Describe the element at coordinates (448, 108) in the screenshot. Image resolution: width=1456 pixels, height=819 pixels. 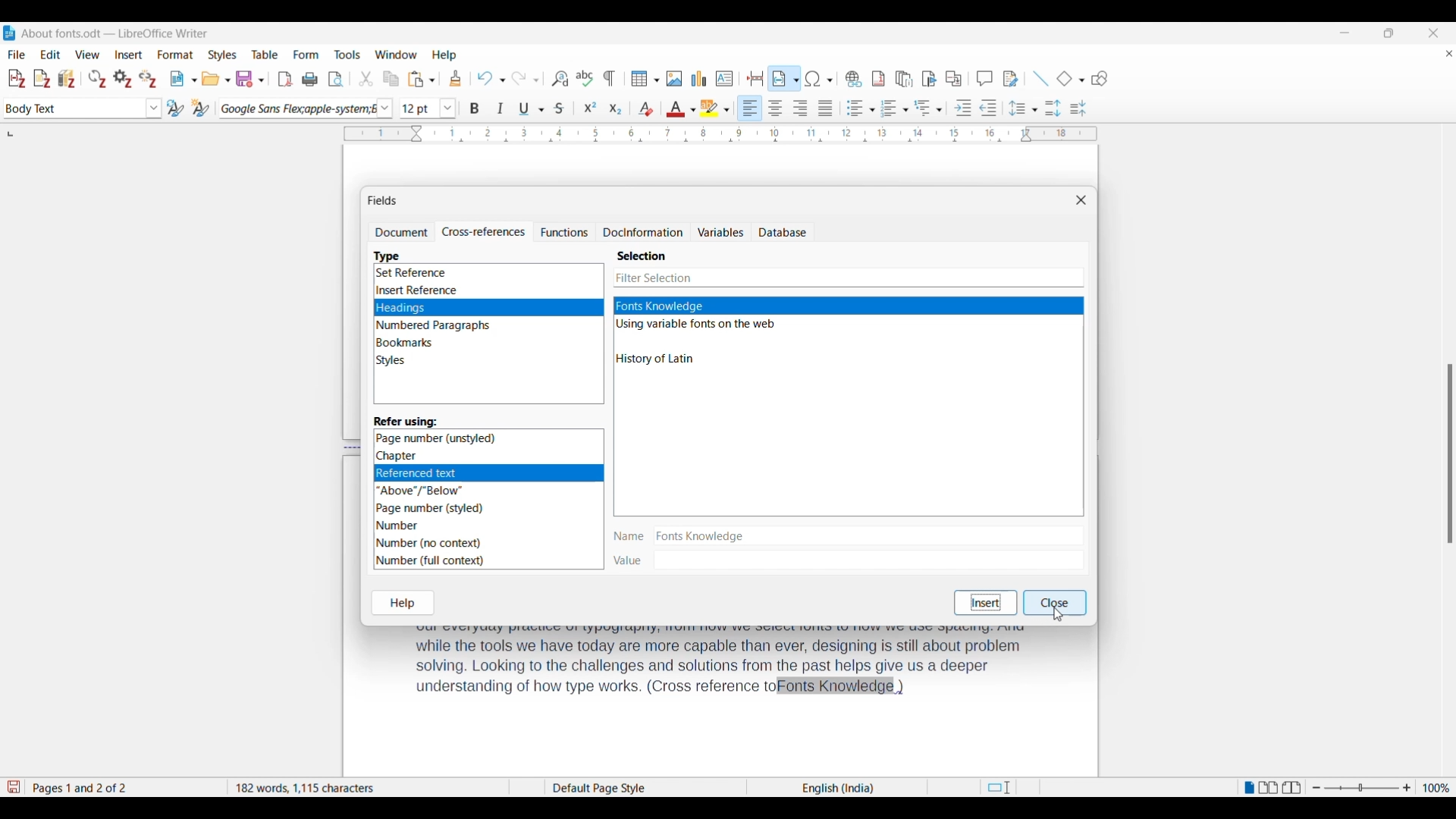
I see `Font size options` at that location.